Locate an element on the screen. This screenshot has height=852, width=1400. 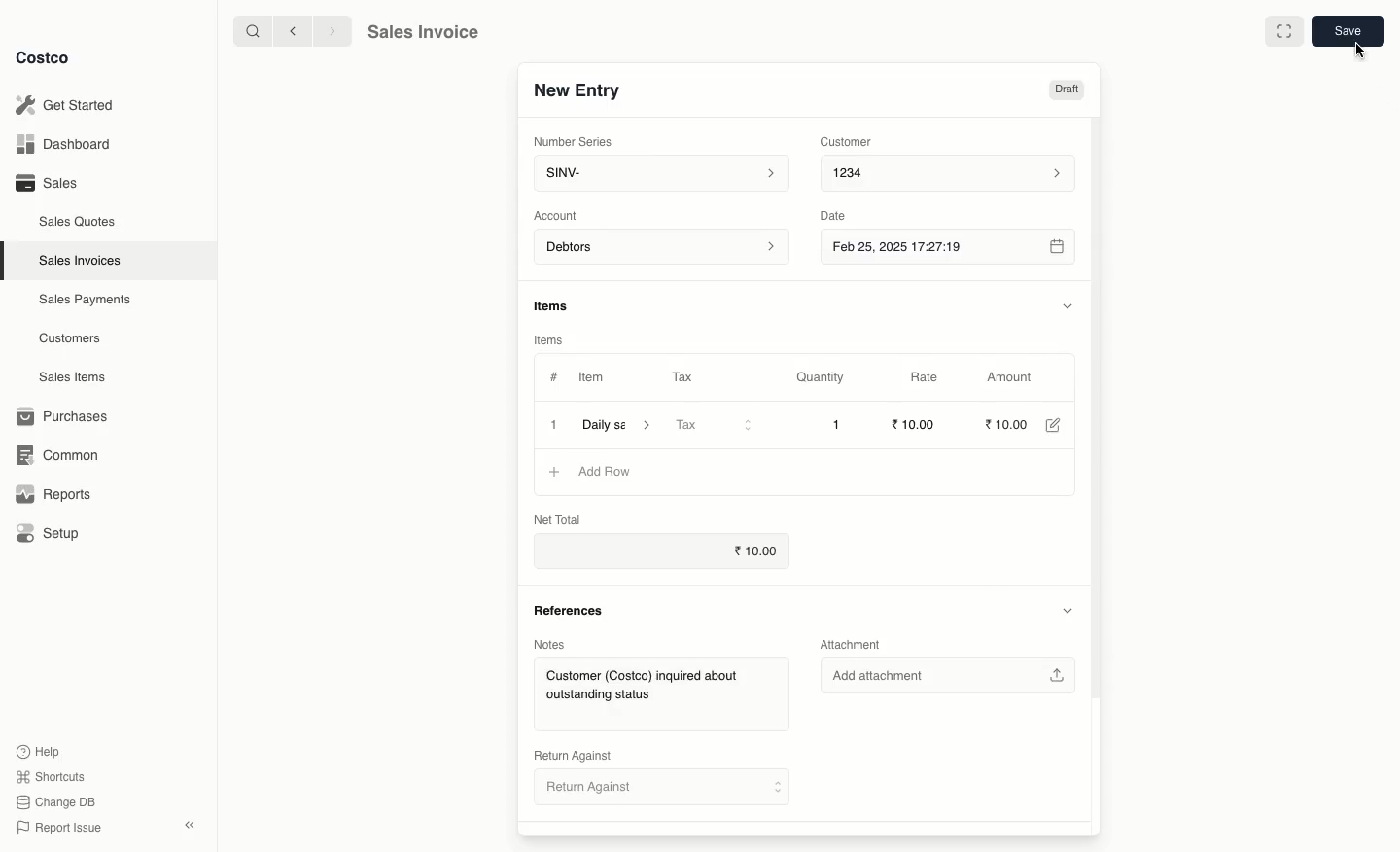
Edit is located at coordinates (1060, 425).